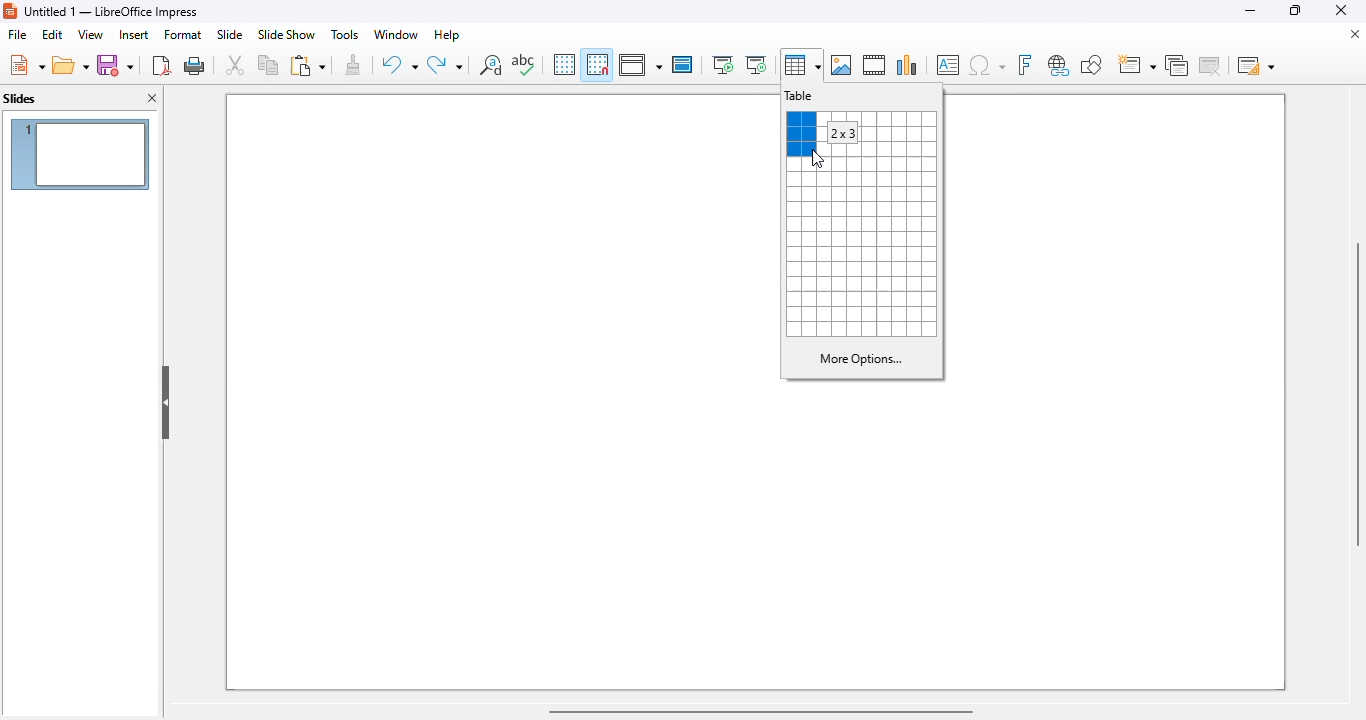 This screenshot has height=720, width=1366. What do you see at coordinates (20, 98) in the screenshot?
I see `slides` at bounding box center [20, 98].